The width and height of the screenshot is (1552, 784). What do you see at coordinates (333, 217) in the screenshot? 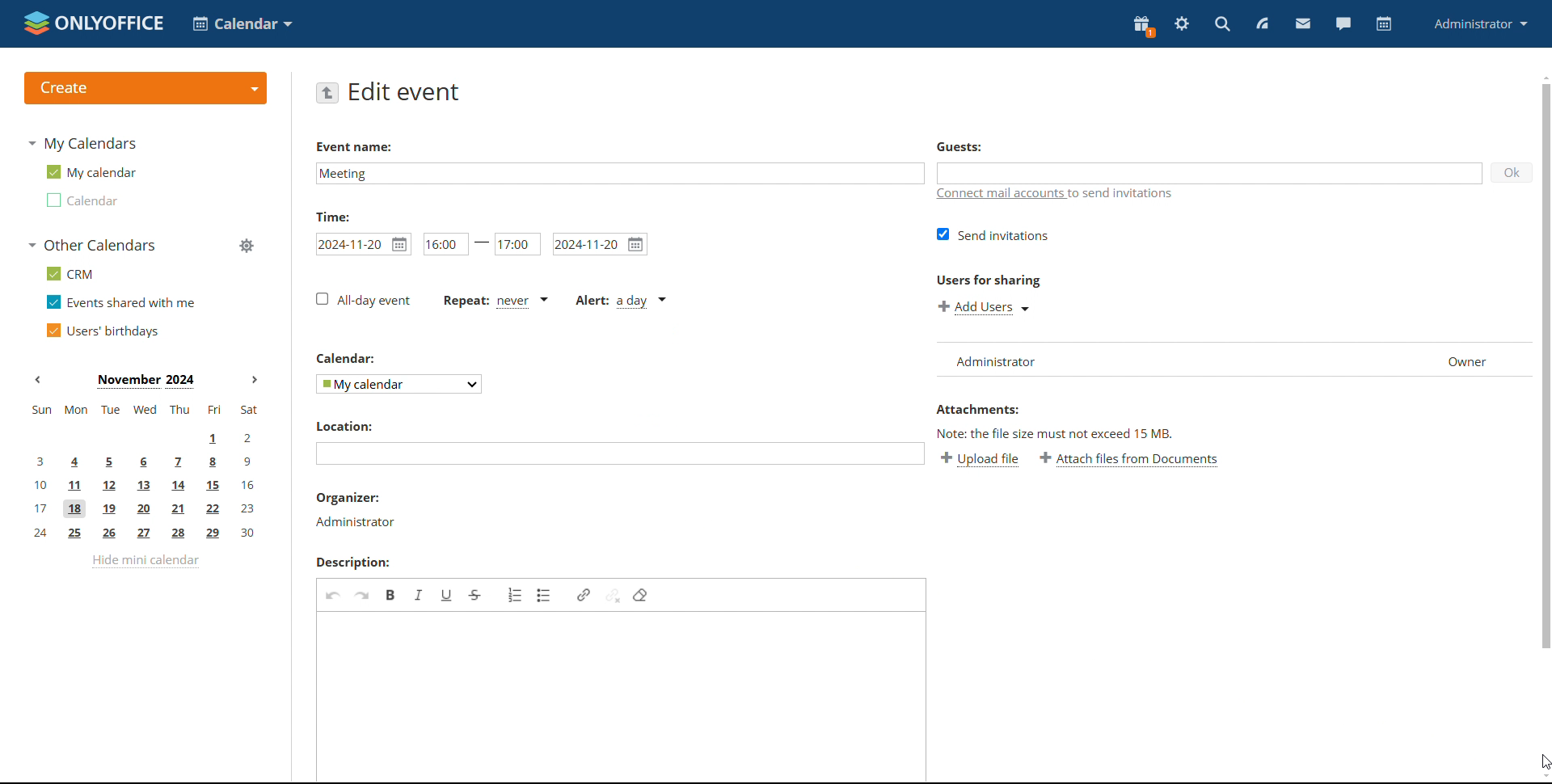
I see `Time` at bounding box center [333, 217].